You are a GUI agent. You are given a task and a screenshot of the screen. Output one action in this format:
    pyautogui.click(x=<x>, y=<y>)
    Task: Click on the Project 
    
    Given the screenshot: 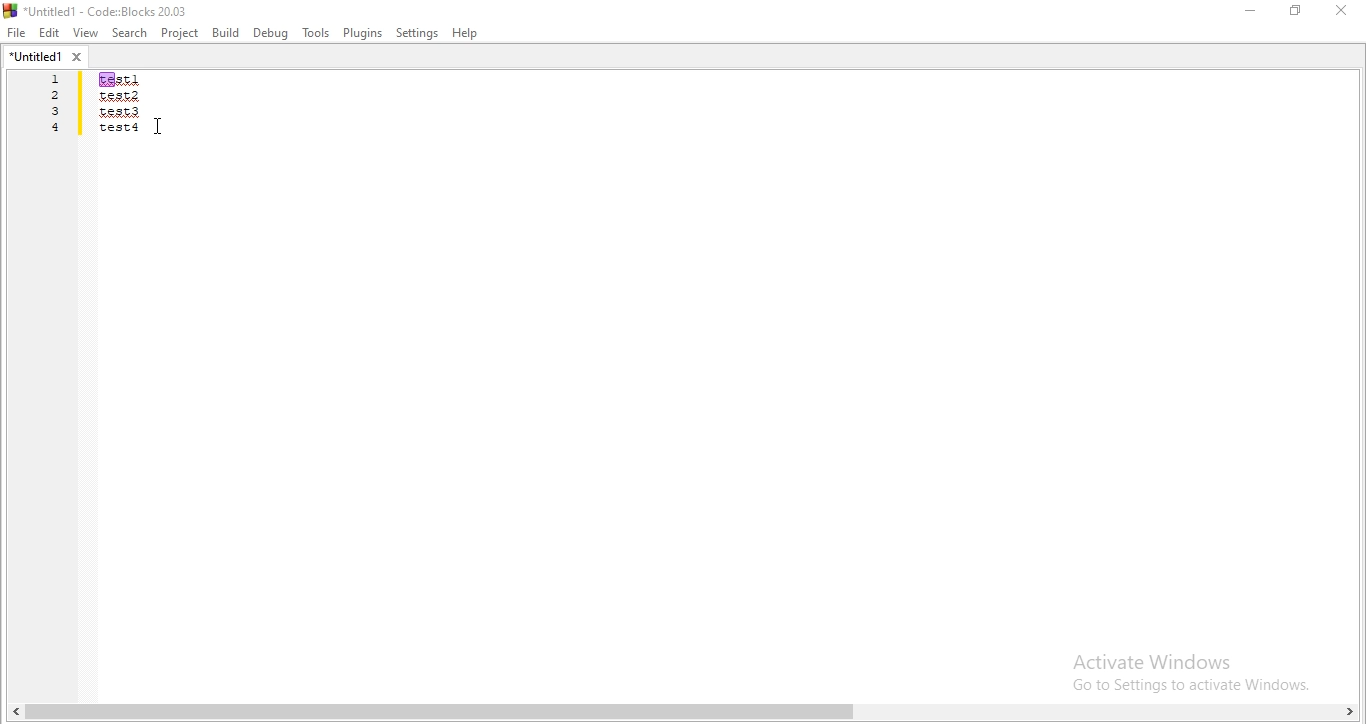 What is the action you would take?
    pyautogui.click(x=181, y=34)
    